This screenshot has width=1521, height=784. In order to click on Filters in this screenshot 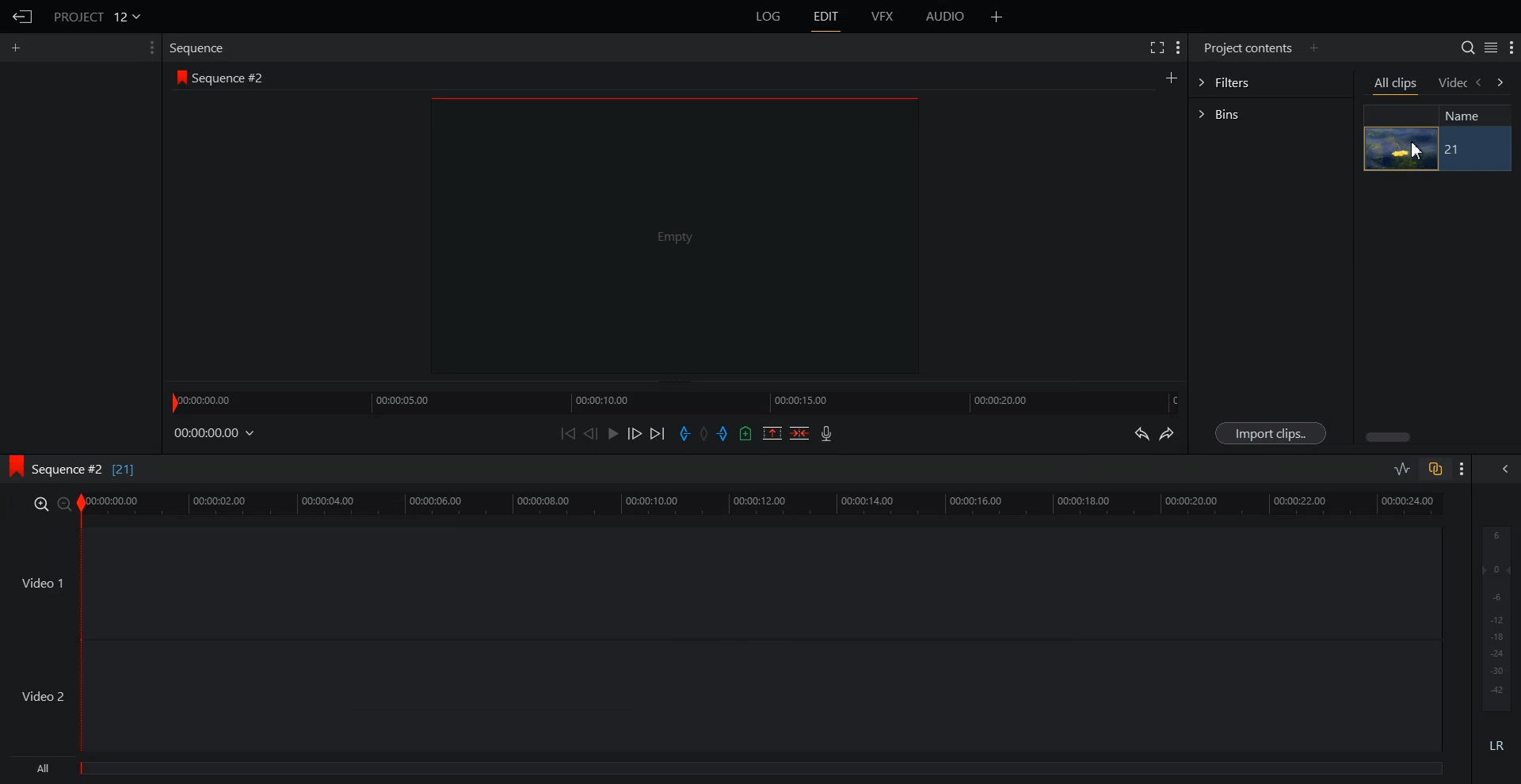, I will do `click(1271, 83)`.